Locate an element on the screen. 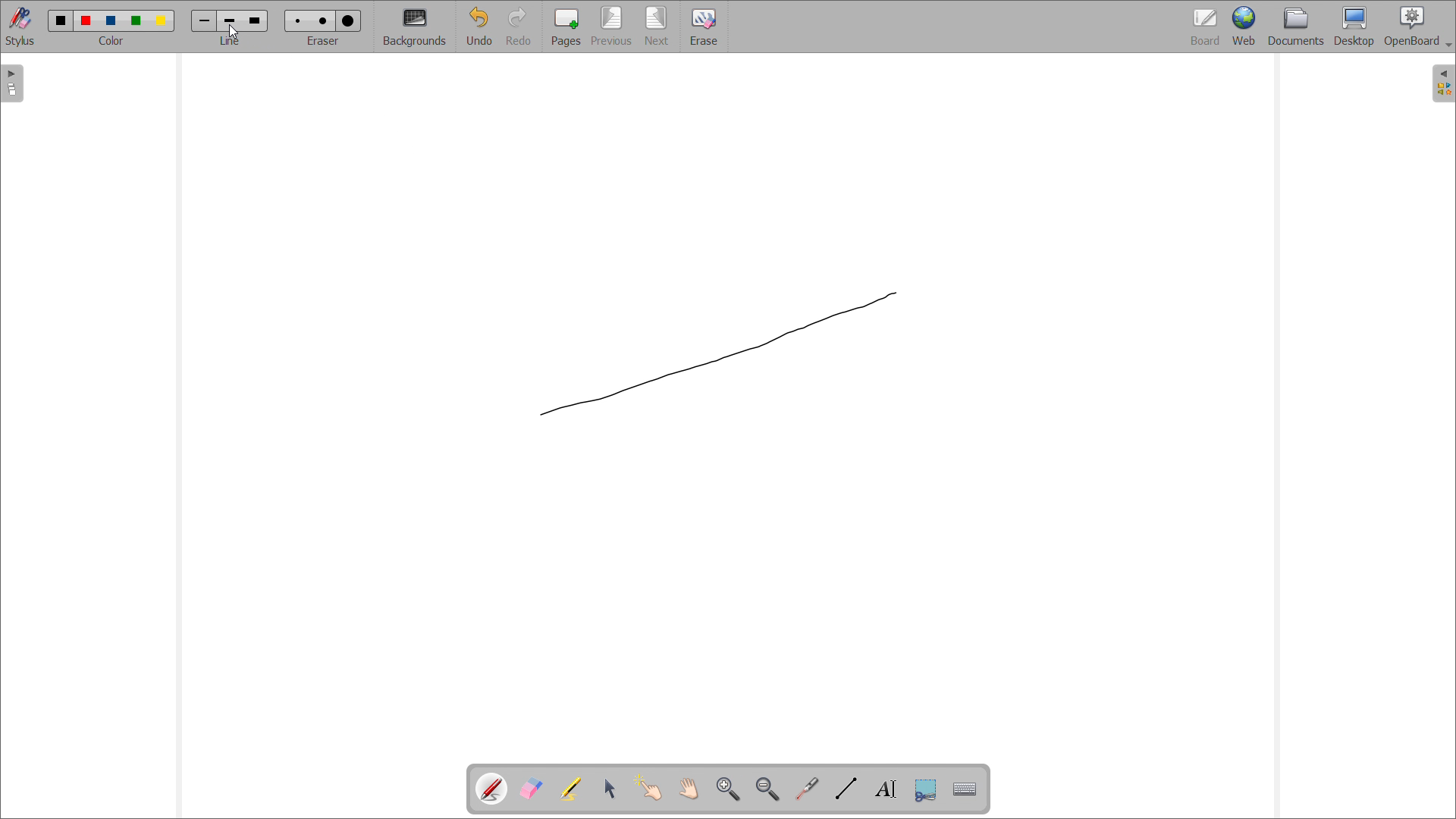  board is located at coordinates (1204, 27).